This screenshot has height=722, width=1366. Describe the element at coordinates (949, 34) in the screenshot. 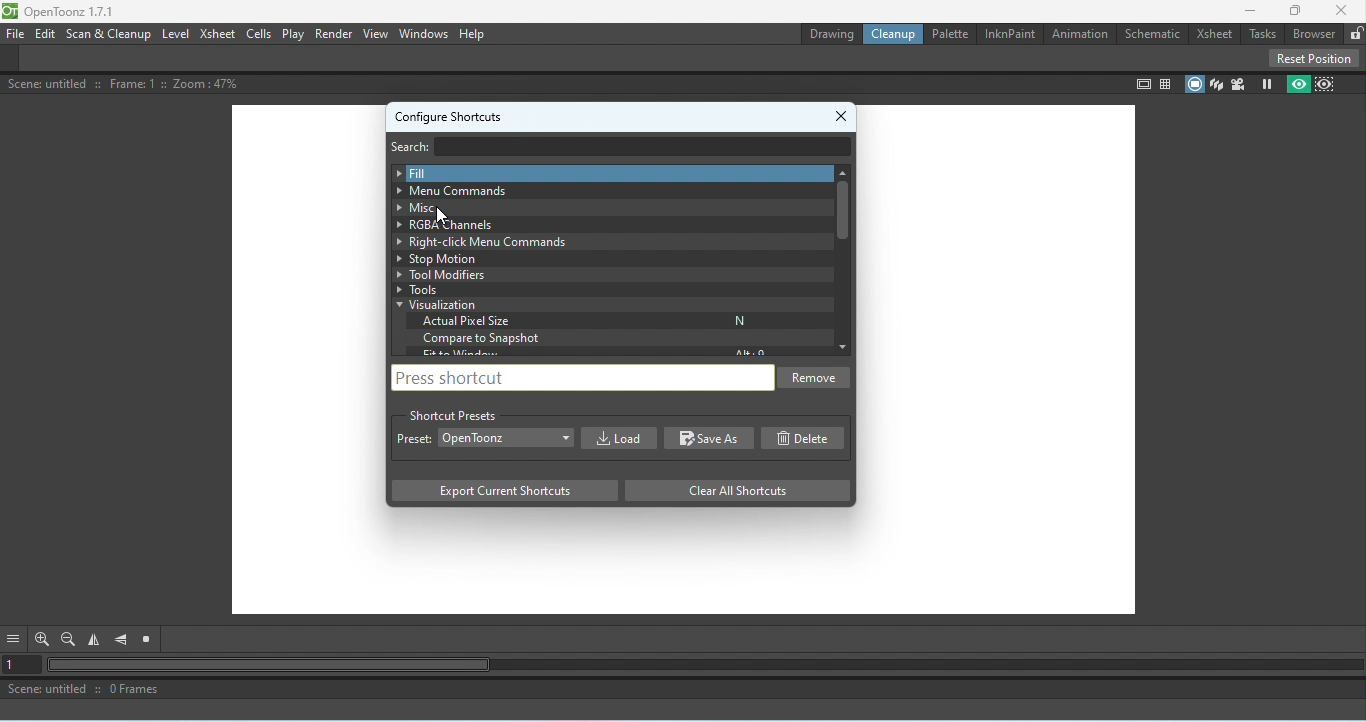

I see `Palettte` at that location.